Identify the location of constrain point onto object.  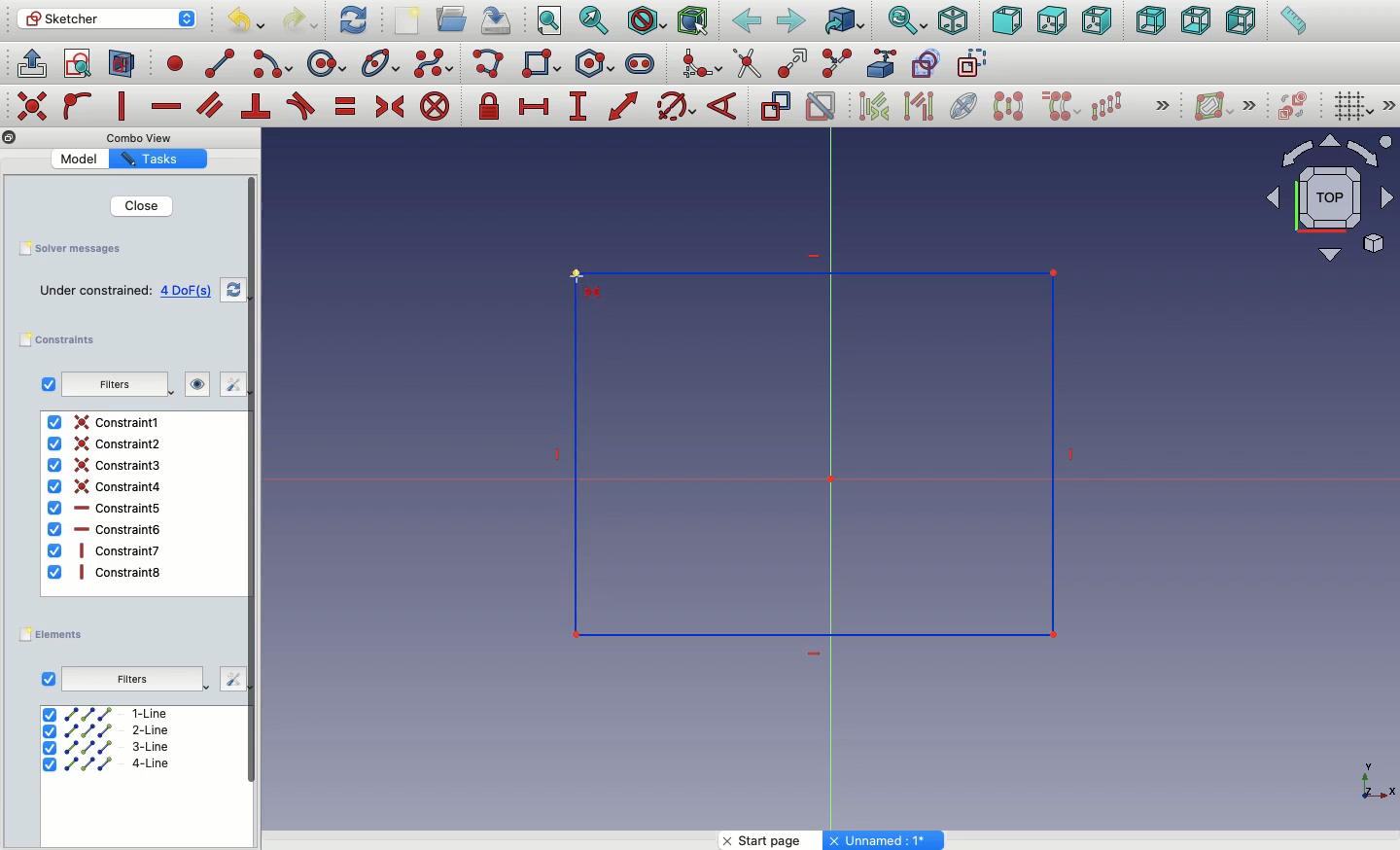
(78, 105).